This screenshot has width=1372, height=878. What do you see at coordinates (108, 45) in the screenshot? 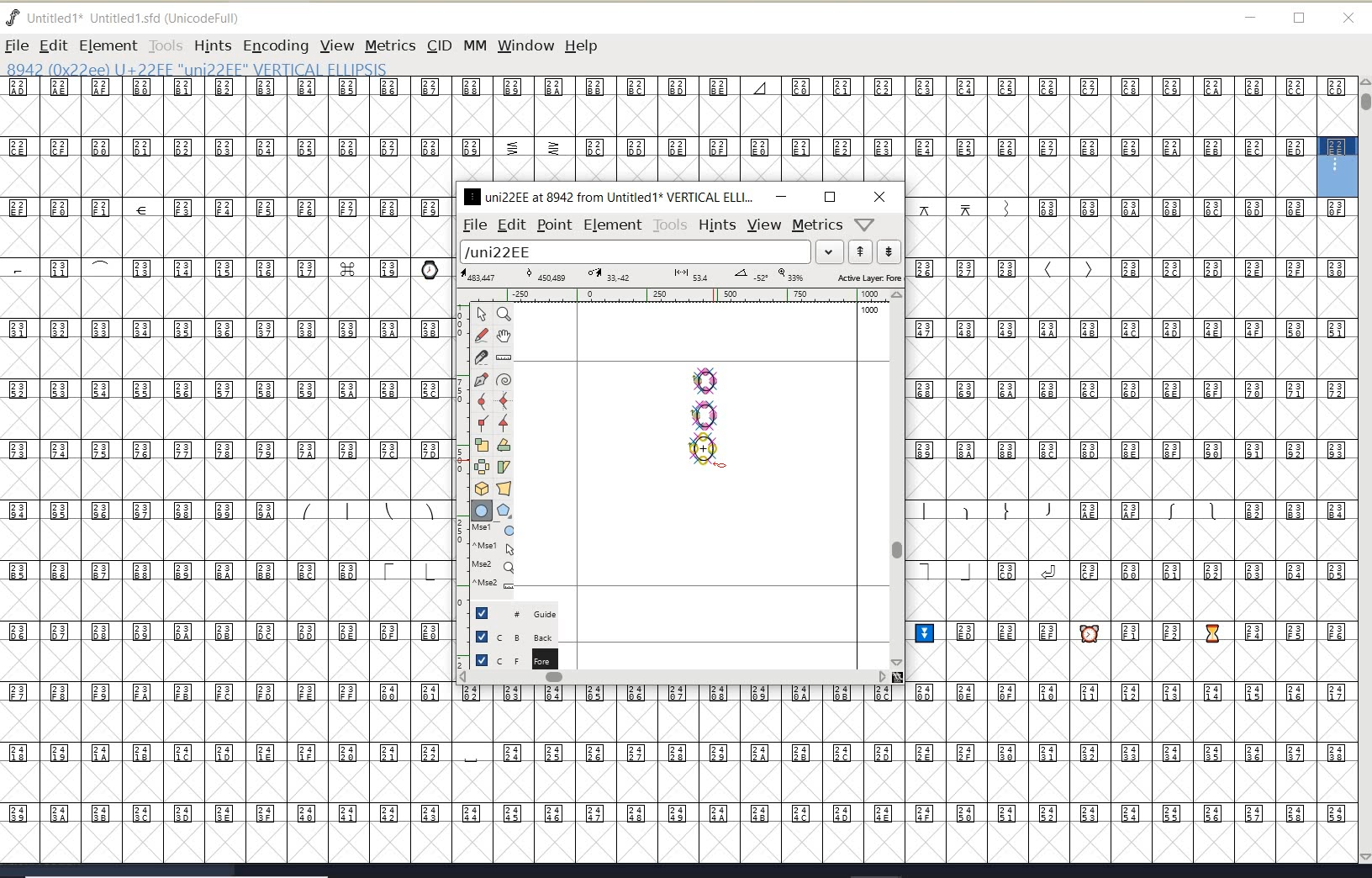
I see `ELEMENT` at bounding box center [108, 45].